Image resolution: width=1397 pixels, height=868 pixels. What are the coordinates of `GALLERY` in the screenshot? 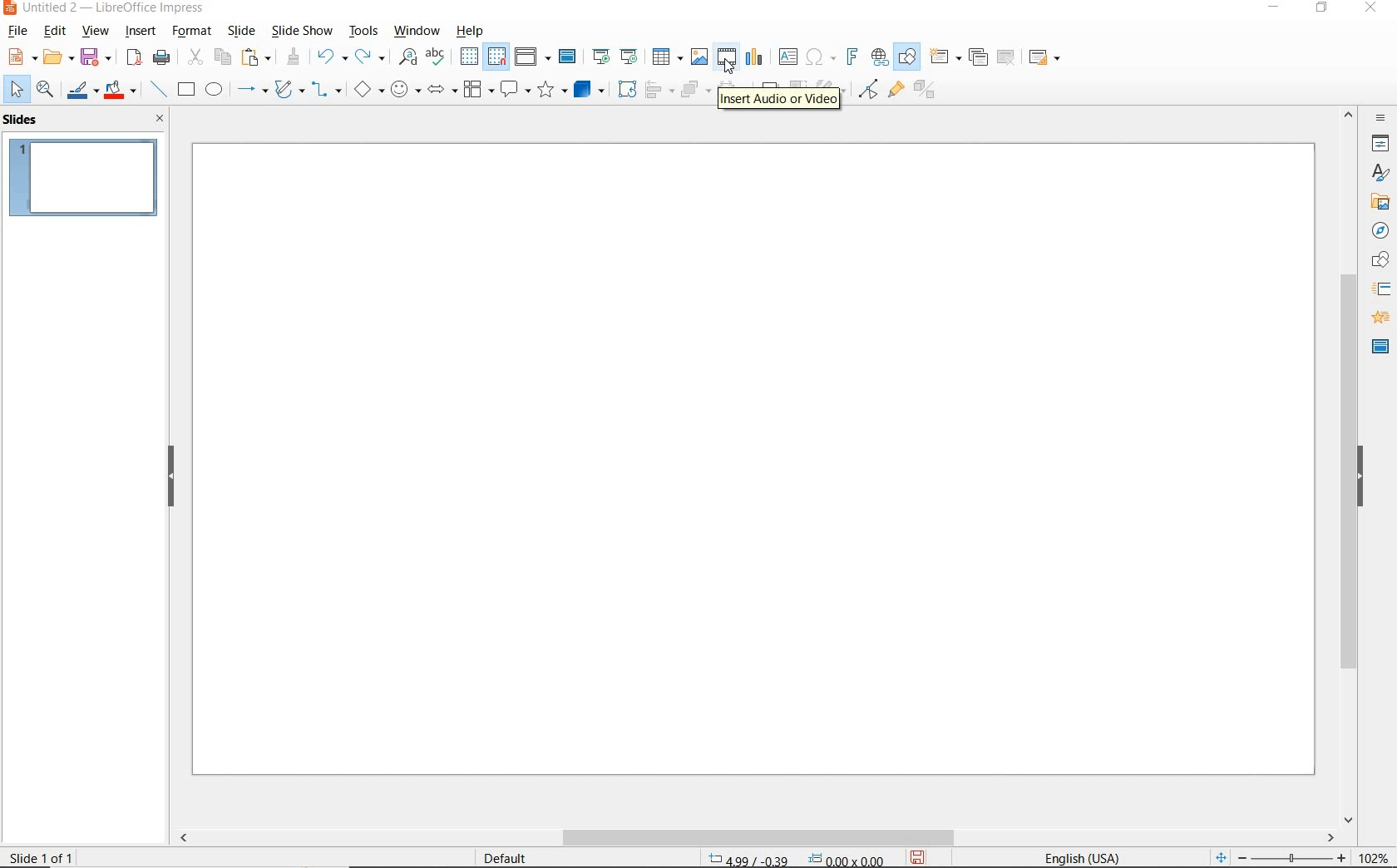 It's located at (1380, 204).